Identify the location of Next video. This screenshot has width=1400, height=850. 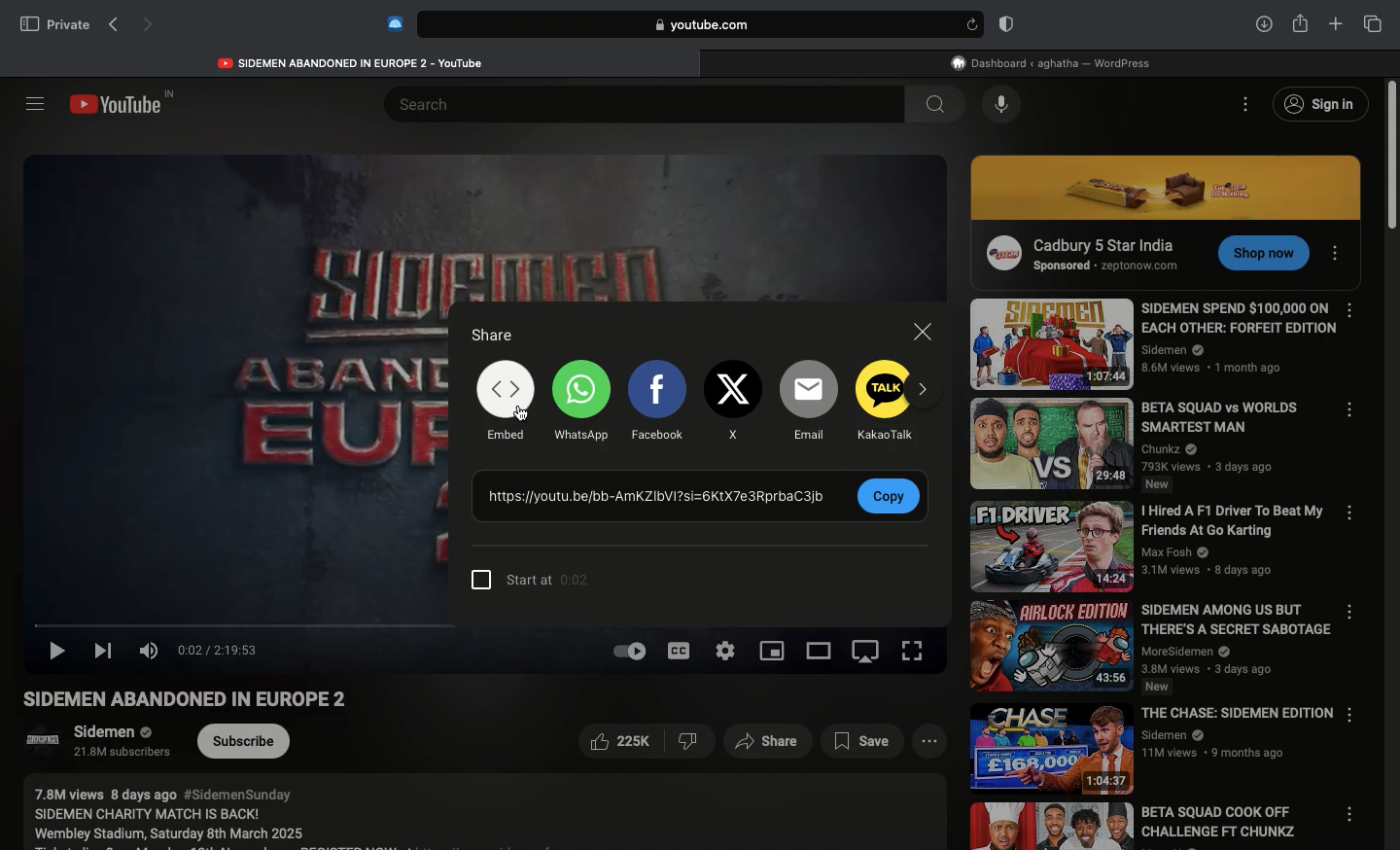
(106, 652).